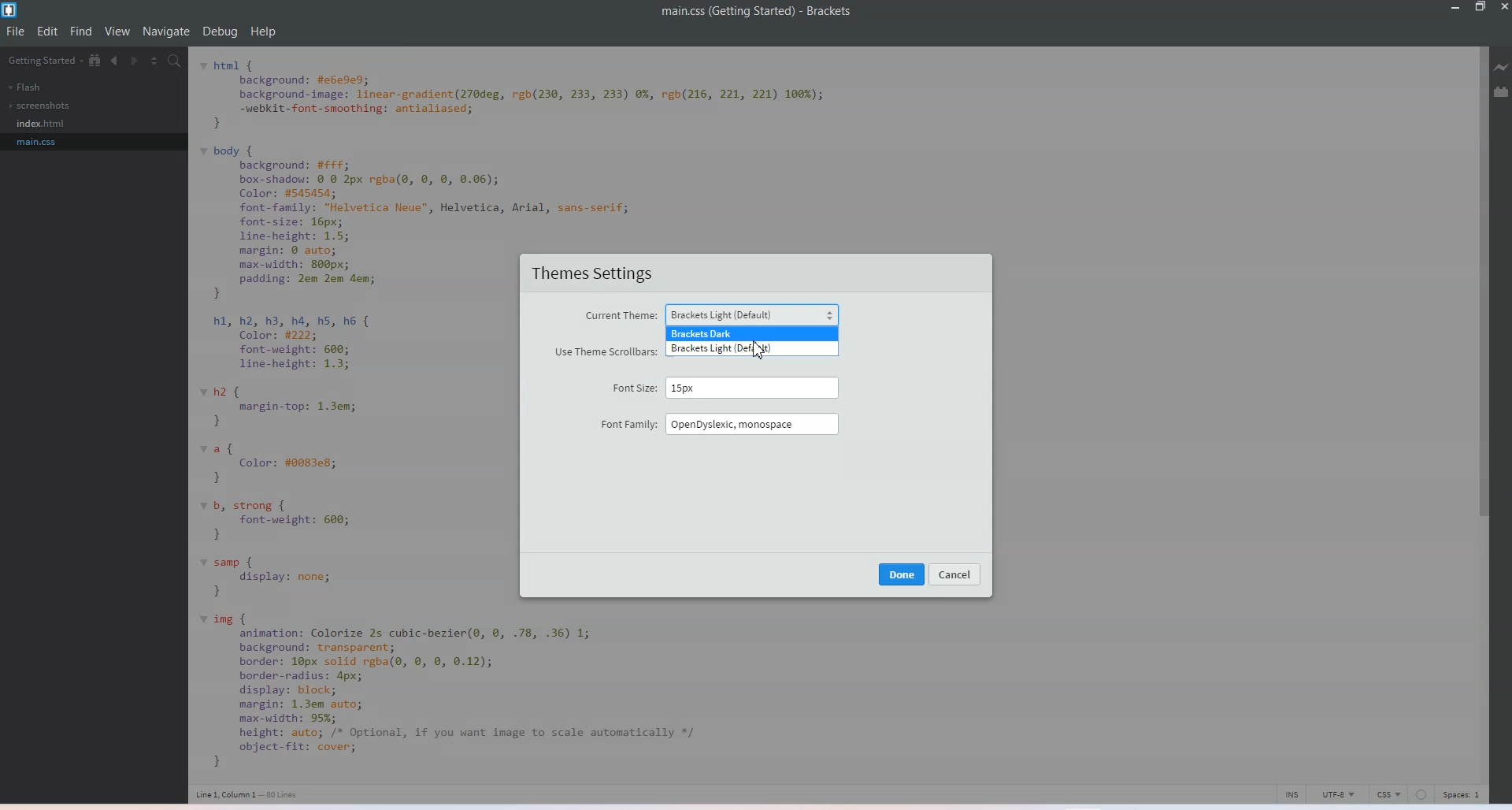 This screenshot has width=1512, height=810. Describe the element at coordinates (43, 61) in the screenshot. I see `getting started` at that location.